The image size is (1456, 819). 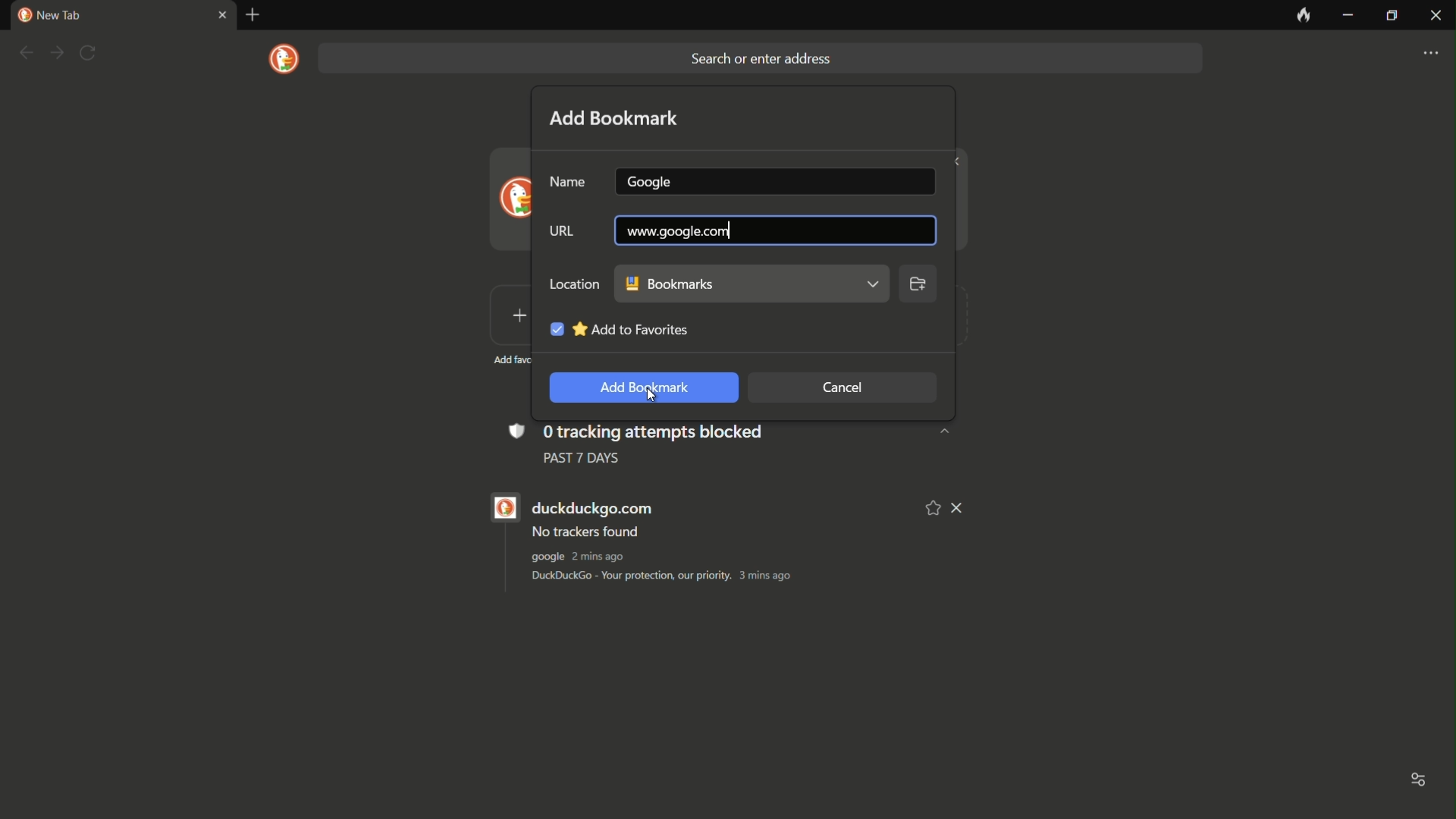 What do you see at coordinates (773, 233) in the screenshot?
I see `www.google.com` at bounding box center [773, 233].